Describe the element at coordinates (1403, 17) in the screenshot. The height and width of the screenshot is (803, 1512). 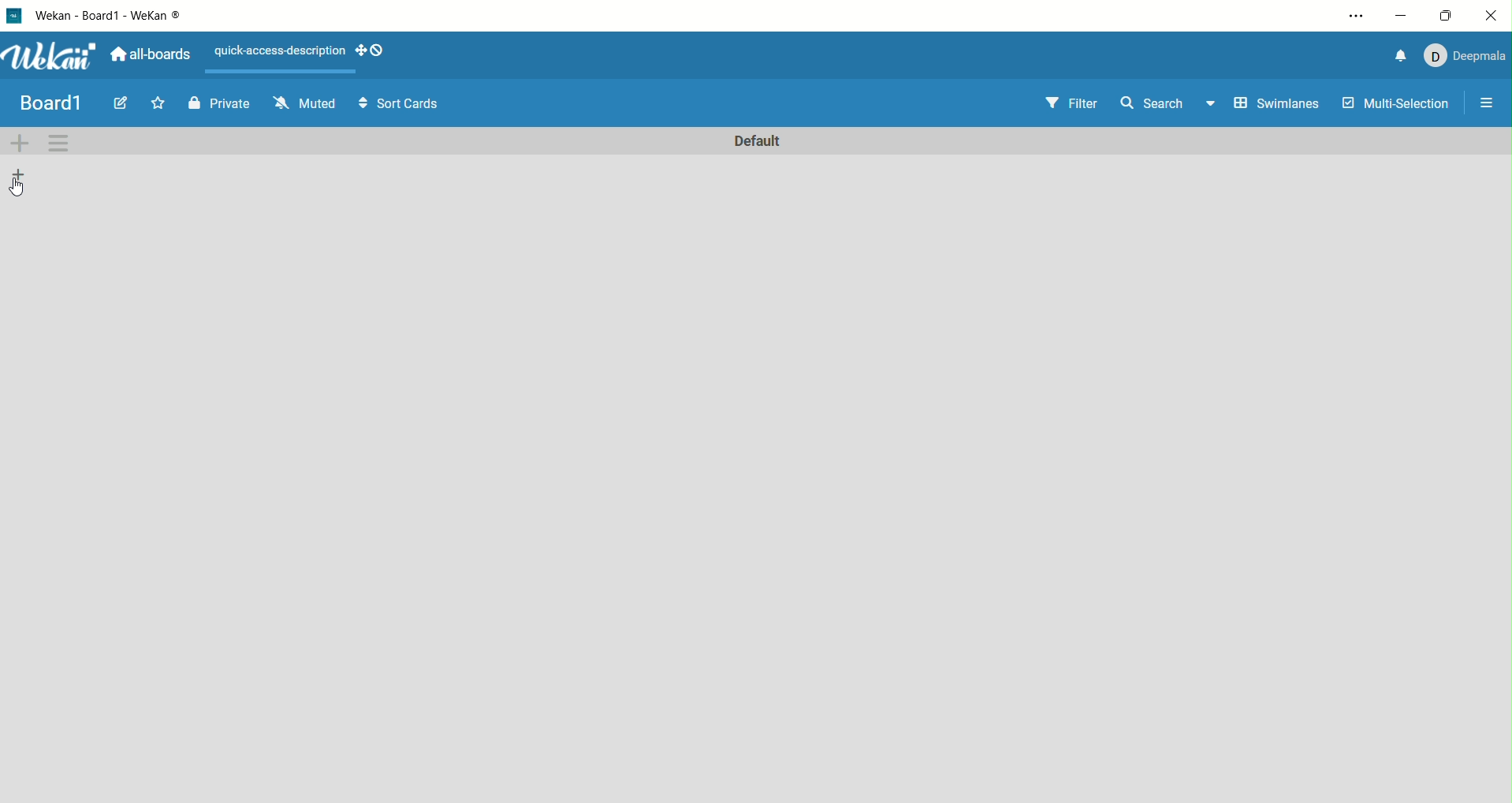
I see `minimize` at that location.